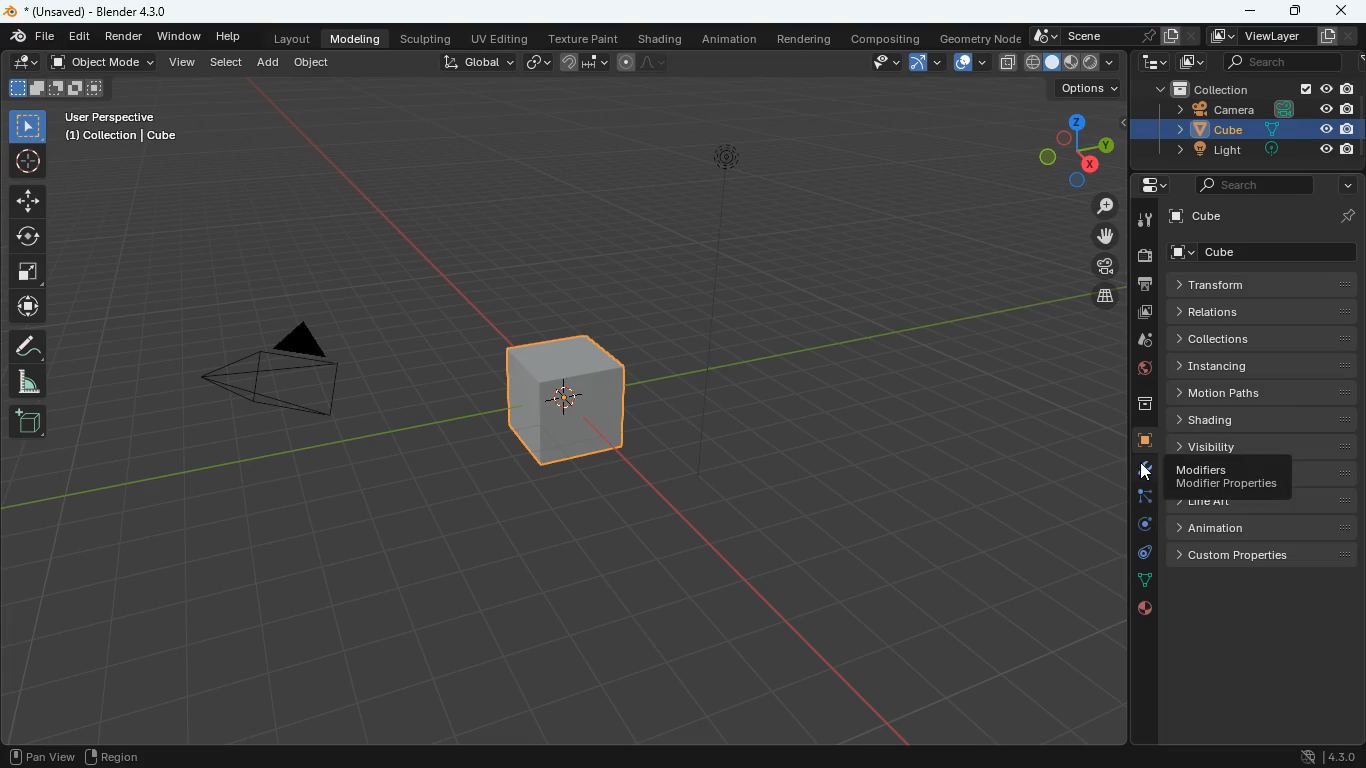  I want to click on compositing, so click(887, 38).